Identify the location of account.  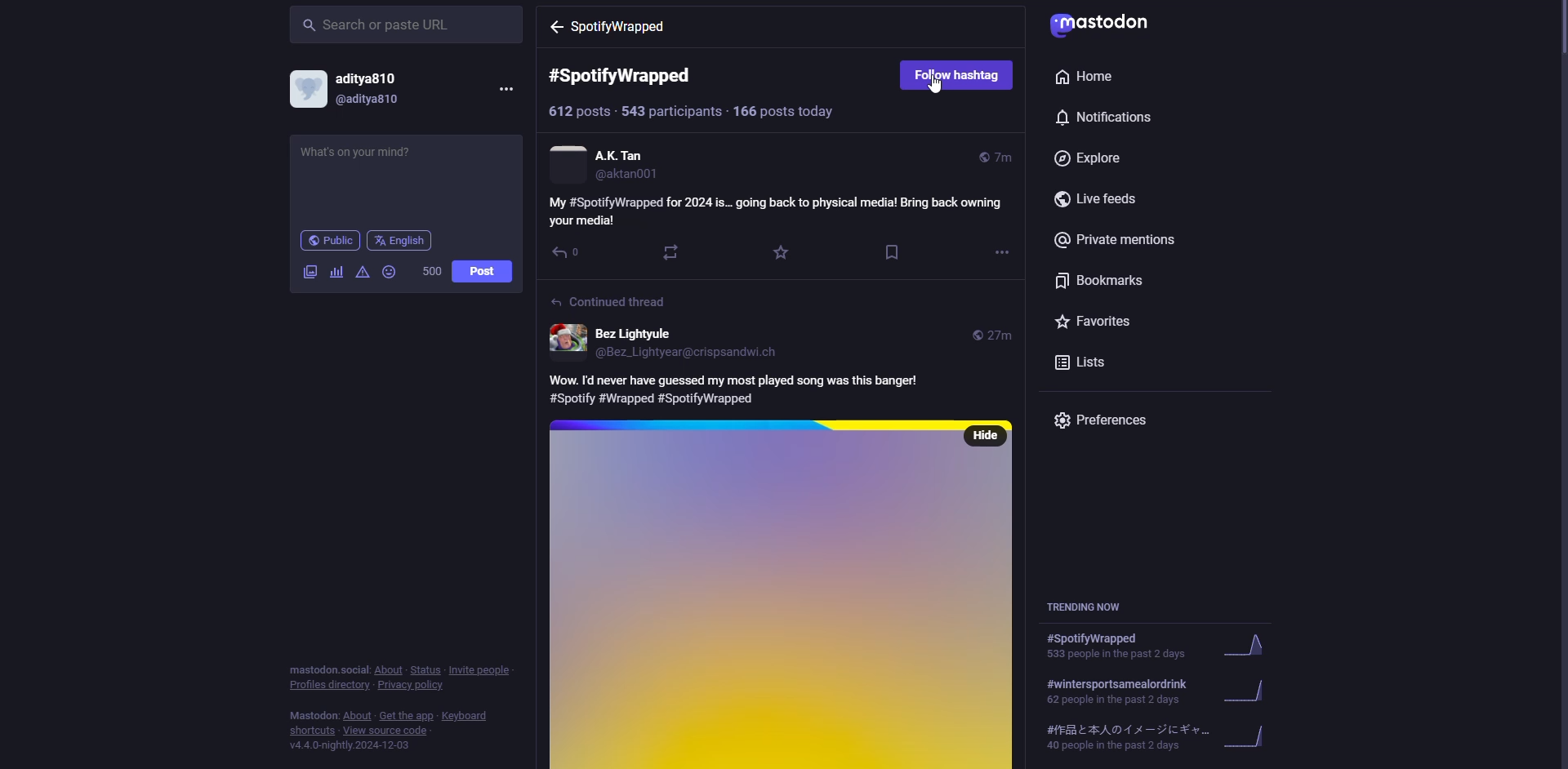
(608, 166).